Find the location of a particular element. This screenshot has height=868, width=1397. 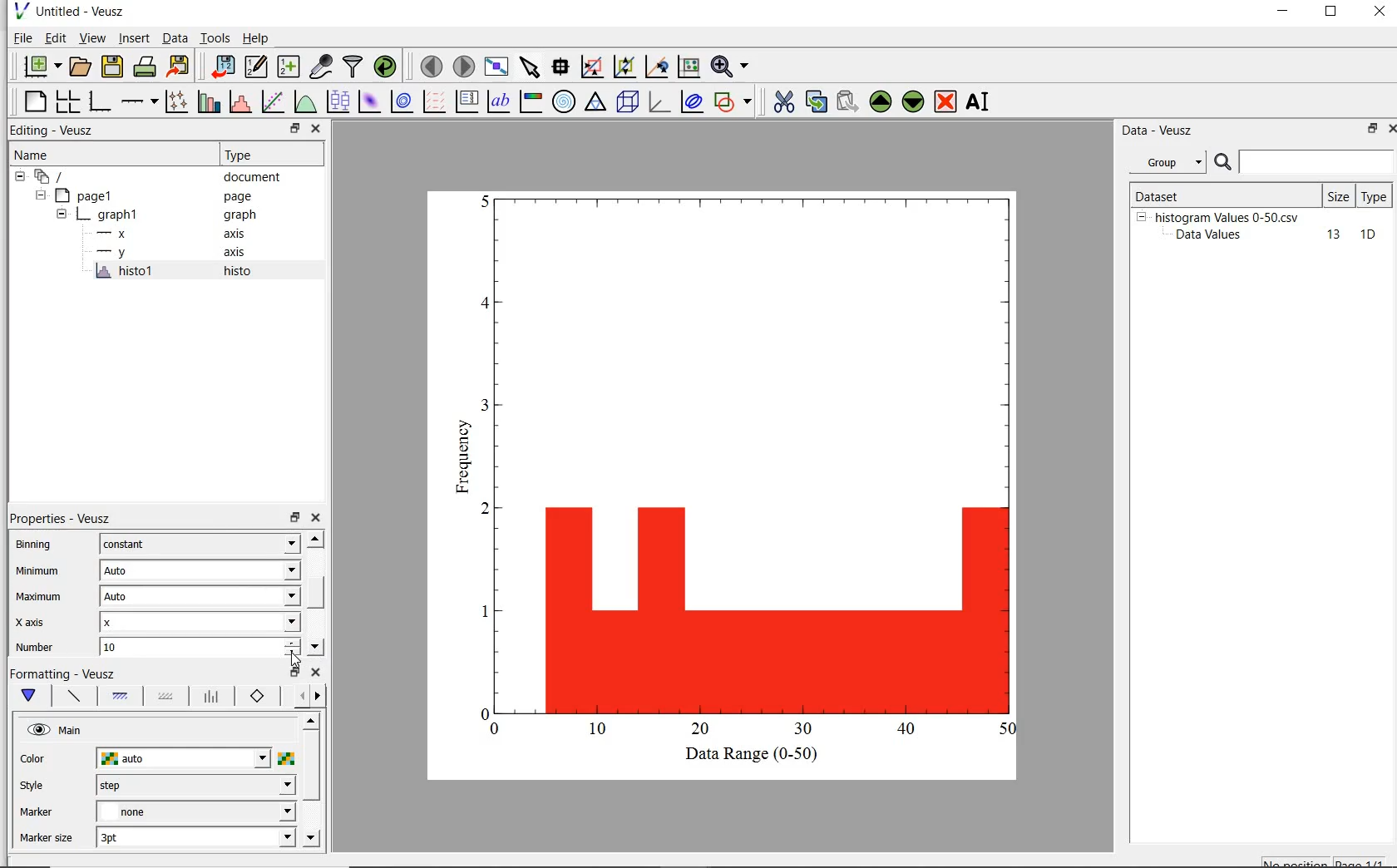

size is located at coordinates (1338, 196).